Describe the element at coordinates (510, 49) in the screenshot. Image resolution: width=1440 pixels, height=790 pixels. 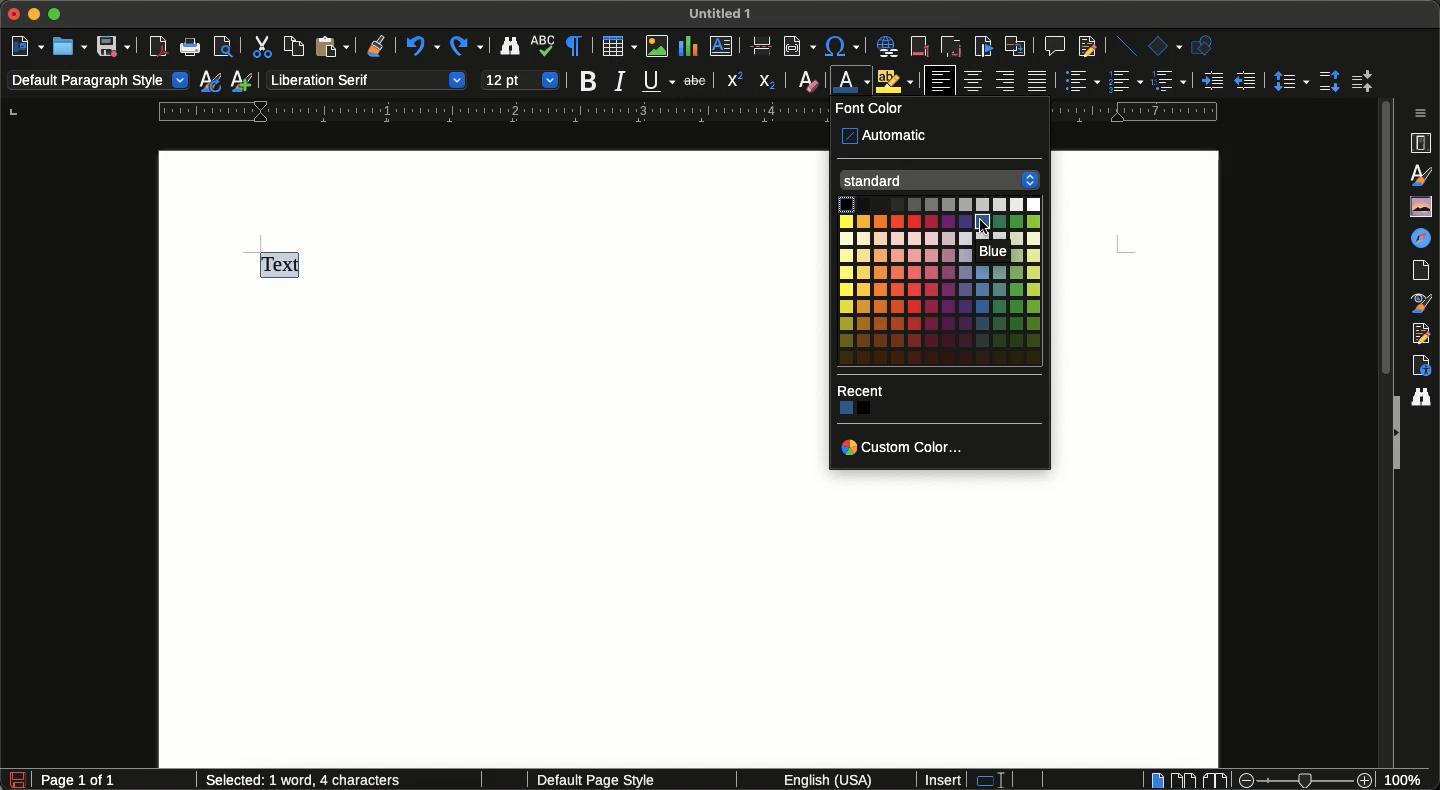
I see `Find and replace` at that location.